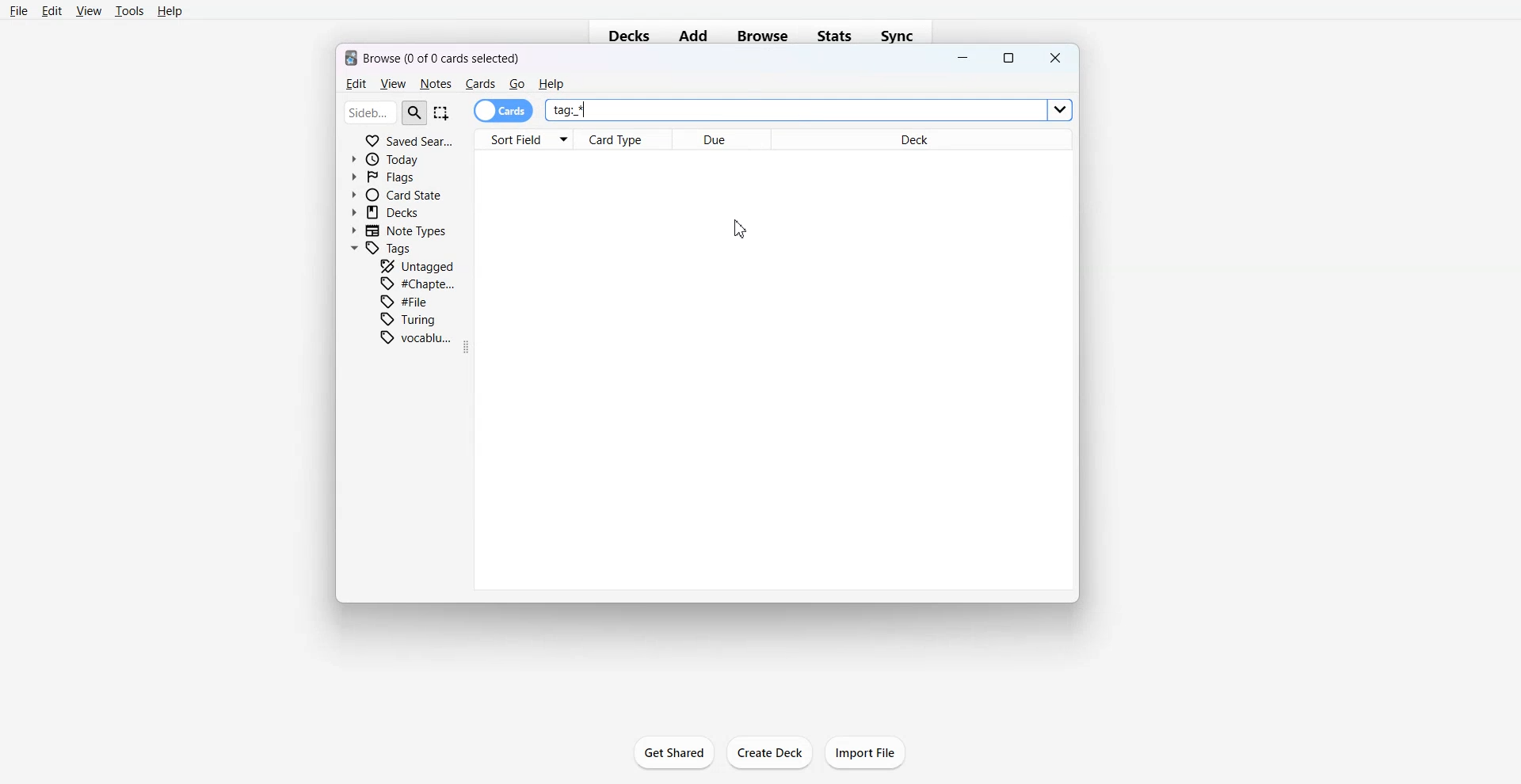 Image resolution: width=1521 pixels, height=784 pixels. I want to click on Help, so click(170, 12).